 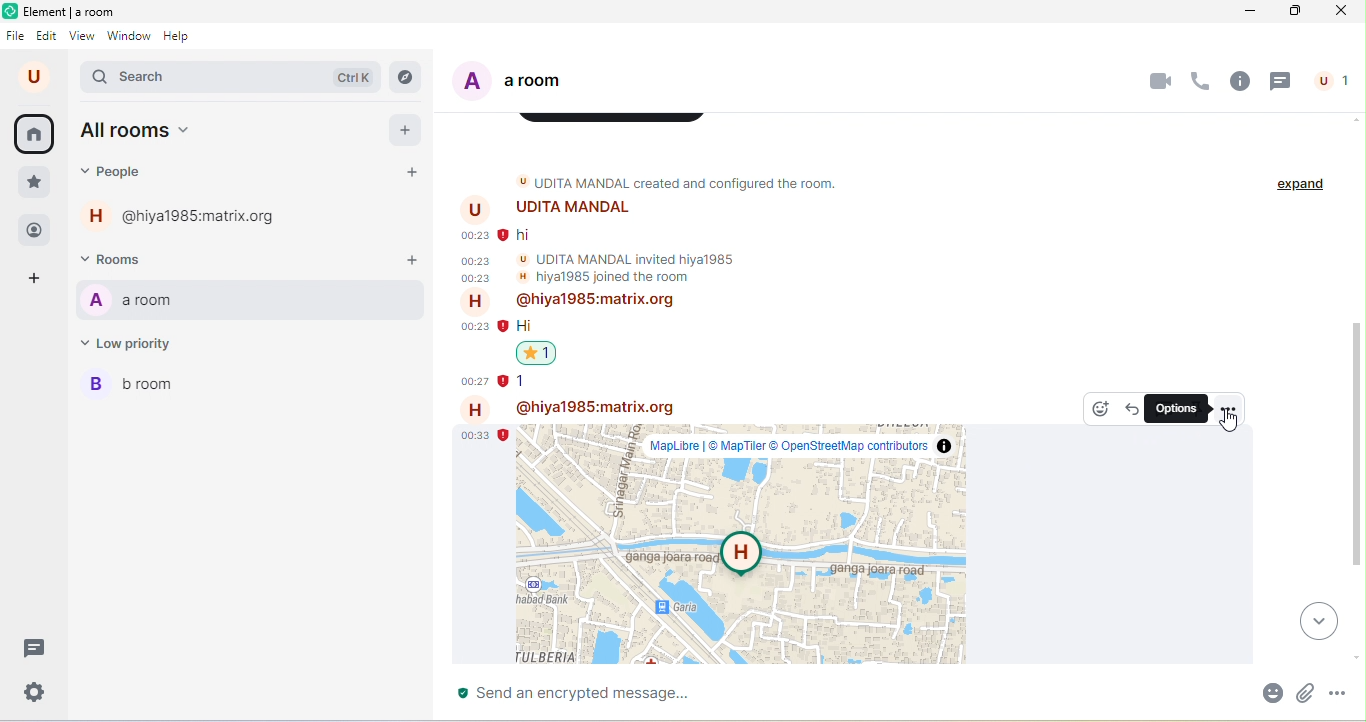 What do you see at coordinates (565, 408) in the screenshot?
I see `@hiya1985:matrix.org` at bounding box center [565, 408].